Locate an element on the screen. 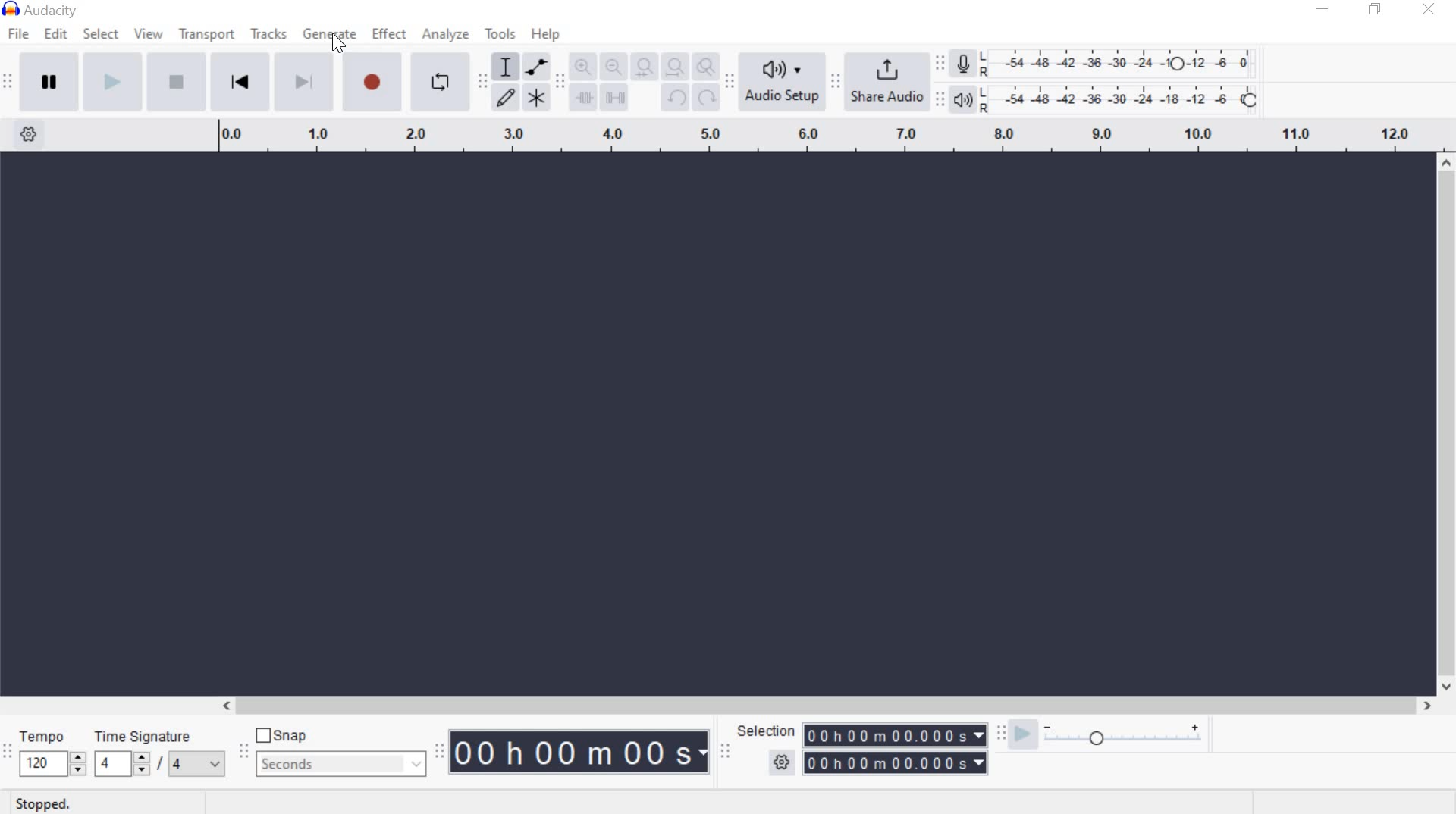 This screenshot has width=1456, height=814. redo is located at coordinates (705, 96).